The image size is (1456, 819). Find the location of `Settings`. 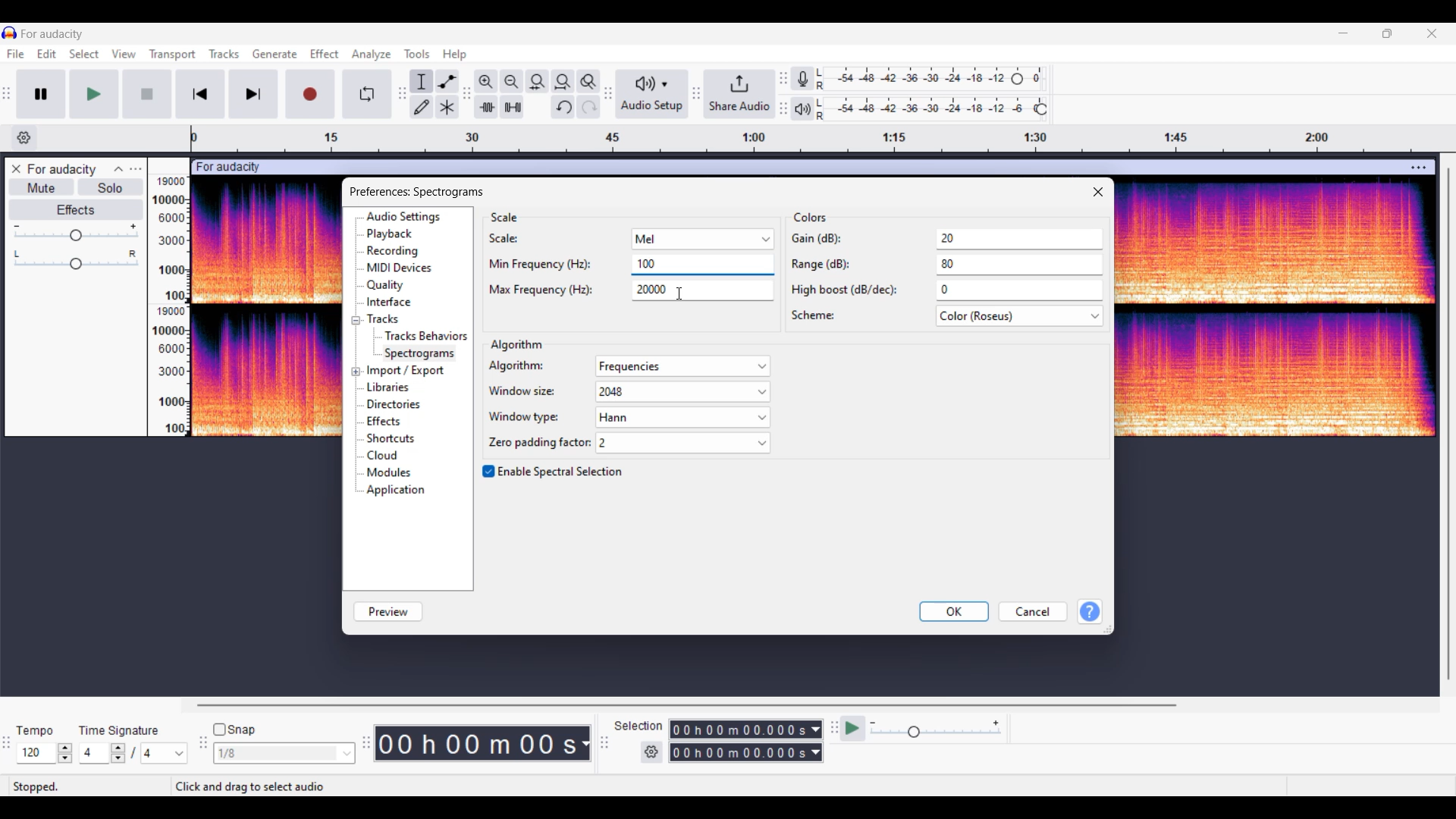

Settings is located at coordinates (651, 752).